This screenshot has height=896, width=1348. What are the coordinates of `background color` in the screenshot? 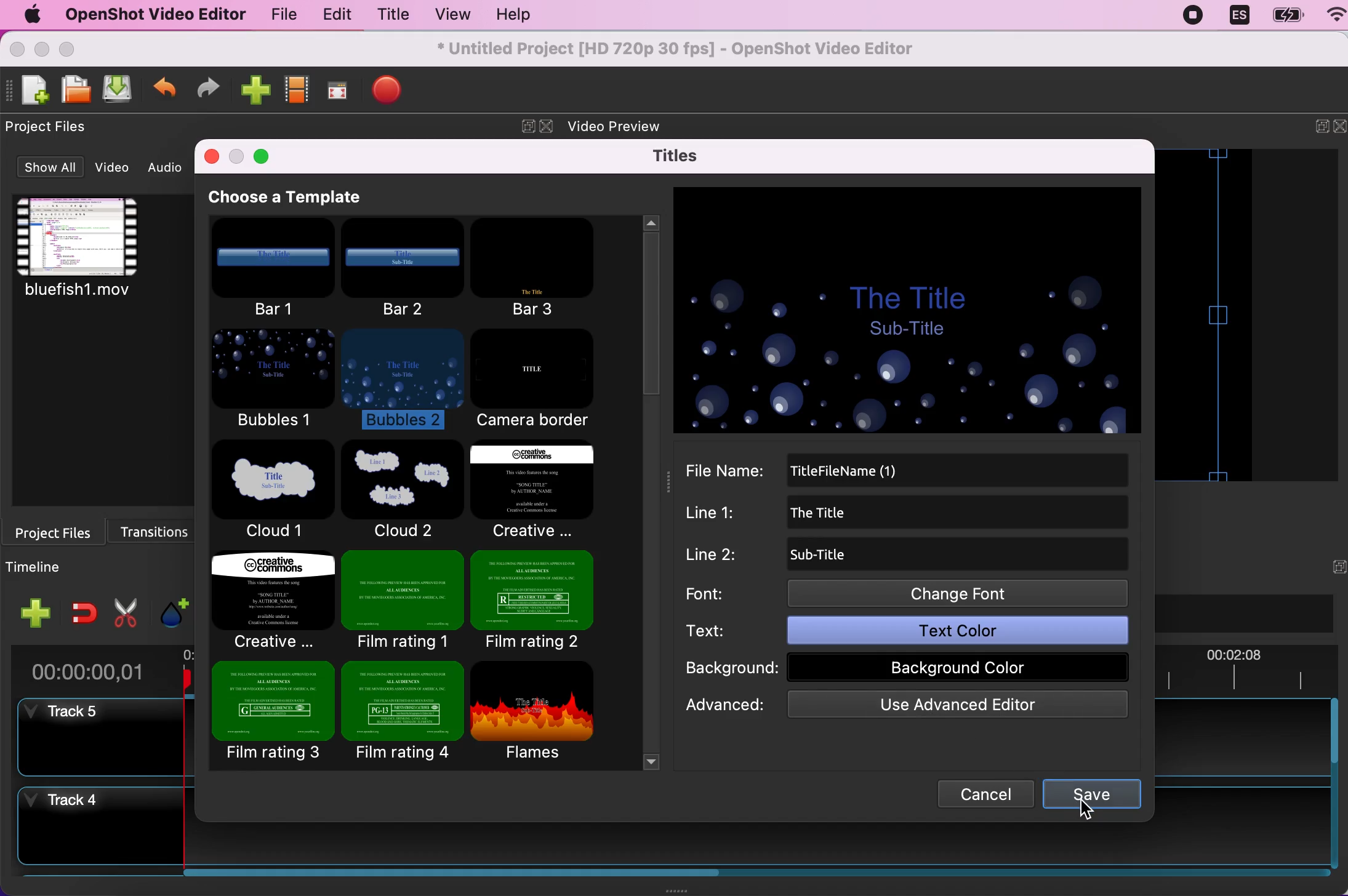 It's located at (957, 666).